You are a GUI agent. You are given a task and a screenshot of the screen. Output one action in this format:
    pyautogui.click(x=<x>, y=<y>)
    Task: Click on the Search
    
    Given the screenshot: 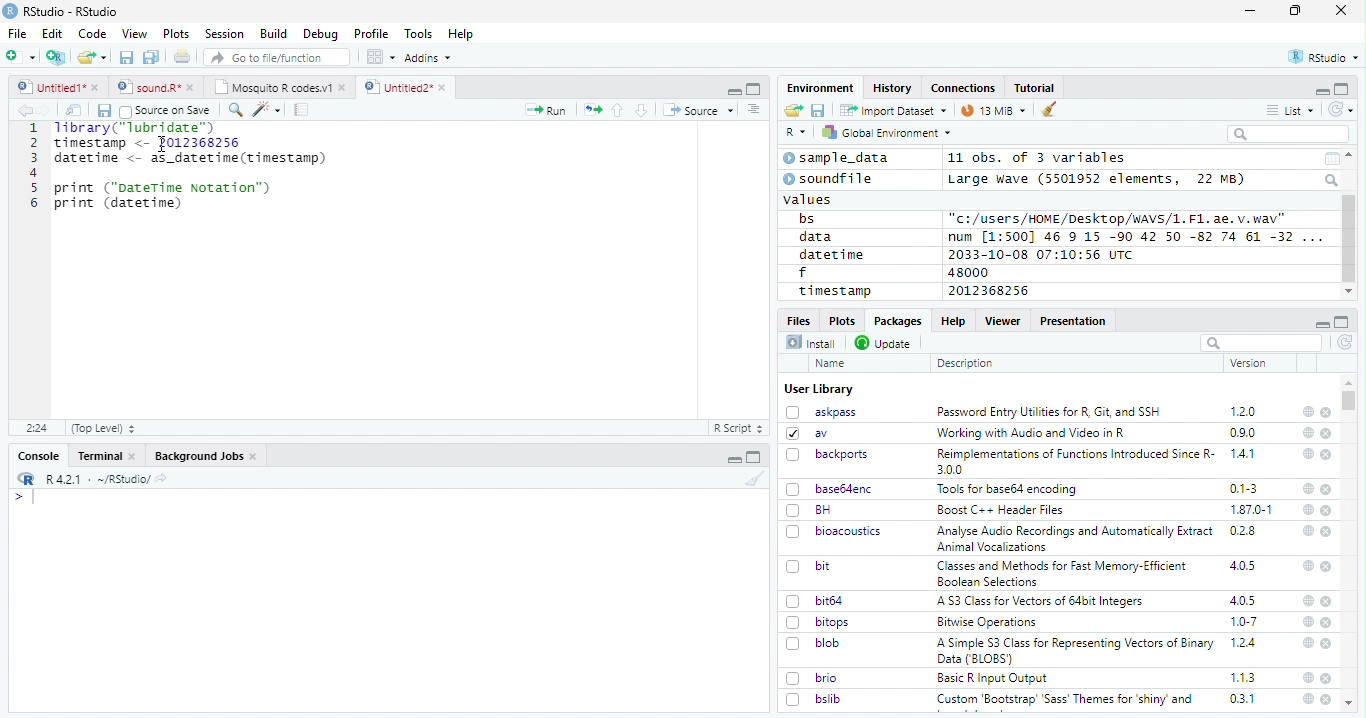 What is the action you would take?
    pyautogui.click(x=1333, y=180)
    